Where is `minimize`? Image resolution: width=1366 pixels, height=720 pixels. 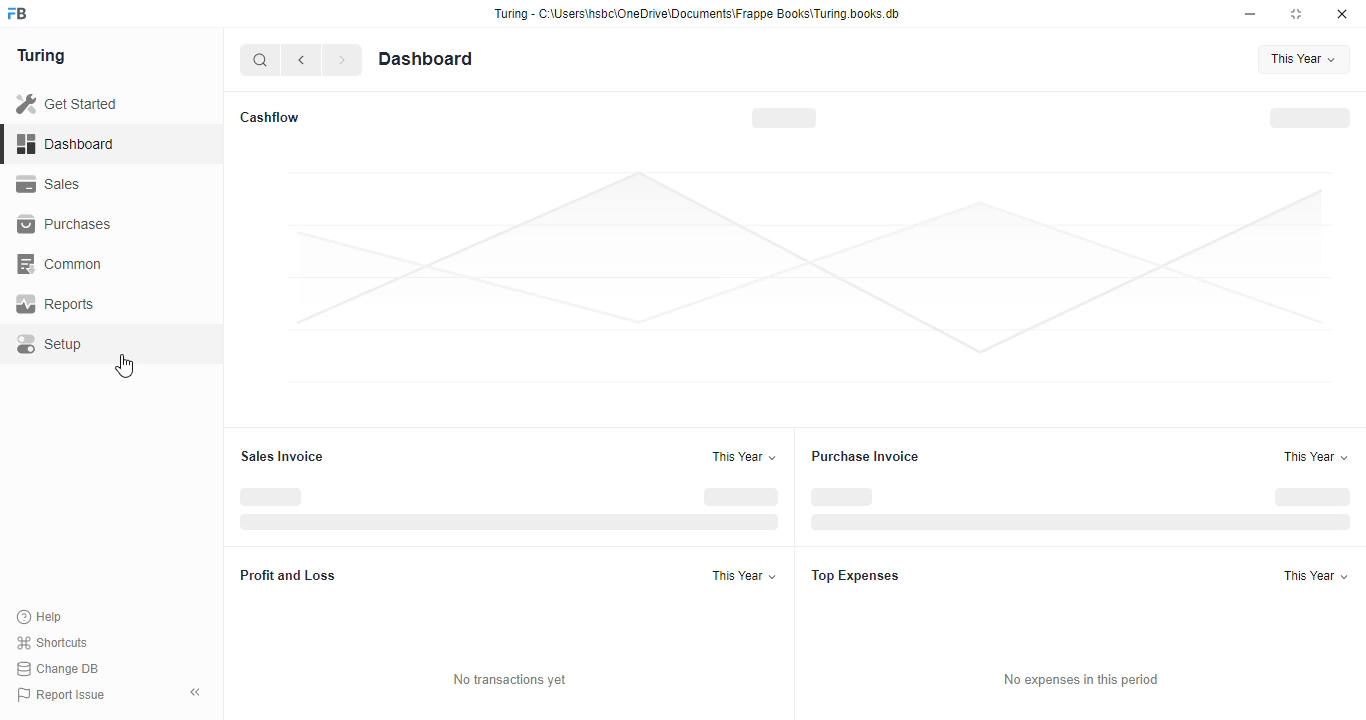 minimize is located at coordinates (1251, 14).